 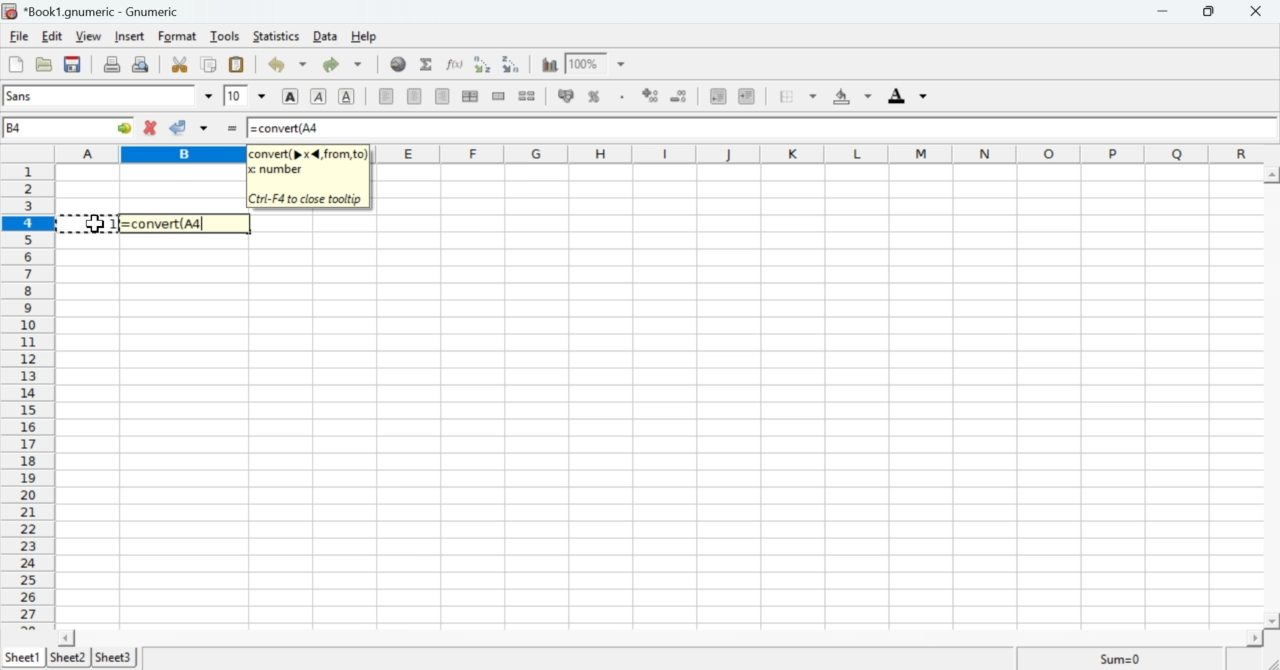 I want to click on Center horizontally across the selection, so click(x=470, y=98).